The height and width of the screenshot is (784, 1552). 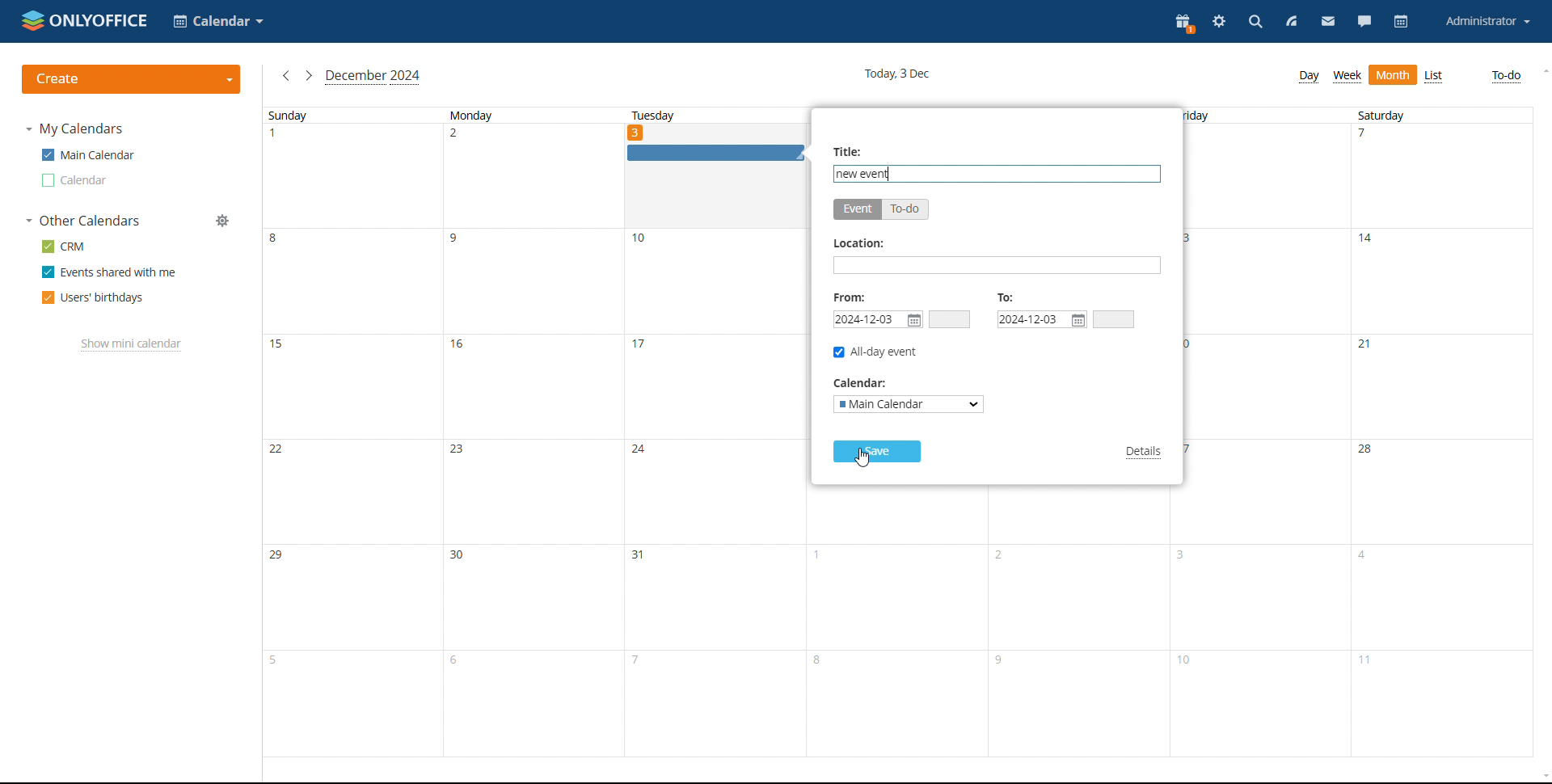 I want to click on mail, so click(x=1329, y=23).